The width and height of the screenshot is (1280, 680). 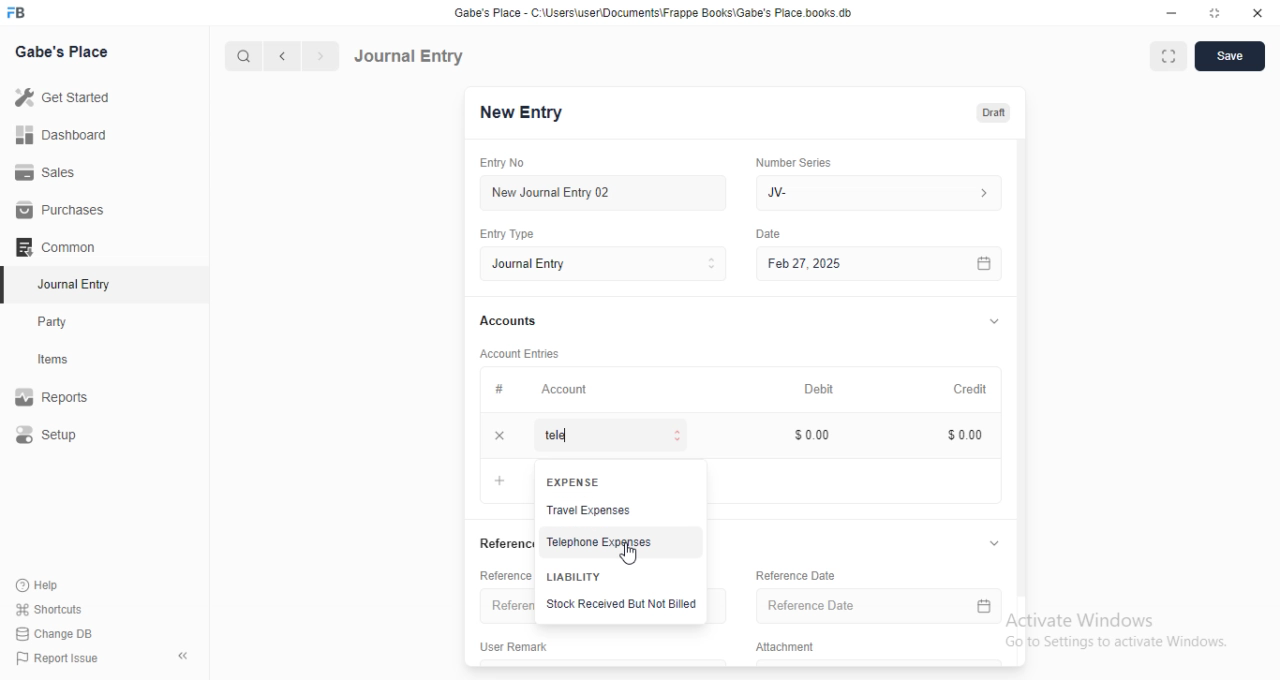 What do you see at coordinates (54, 322) in the screenshot?
I see `Party` at bounding box center [54, 322].